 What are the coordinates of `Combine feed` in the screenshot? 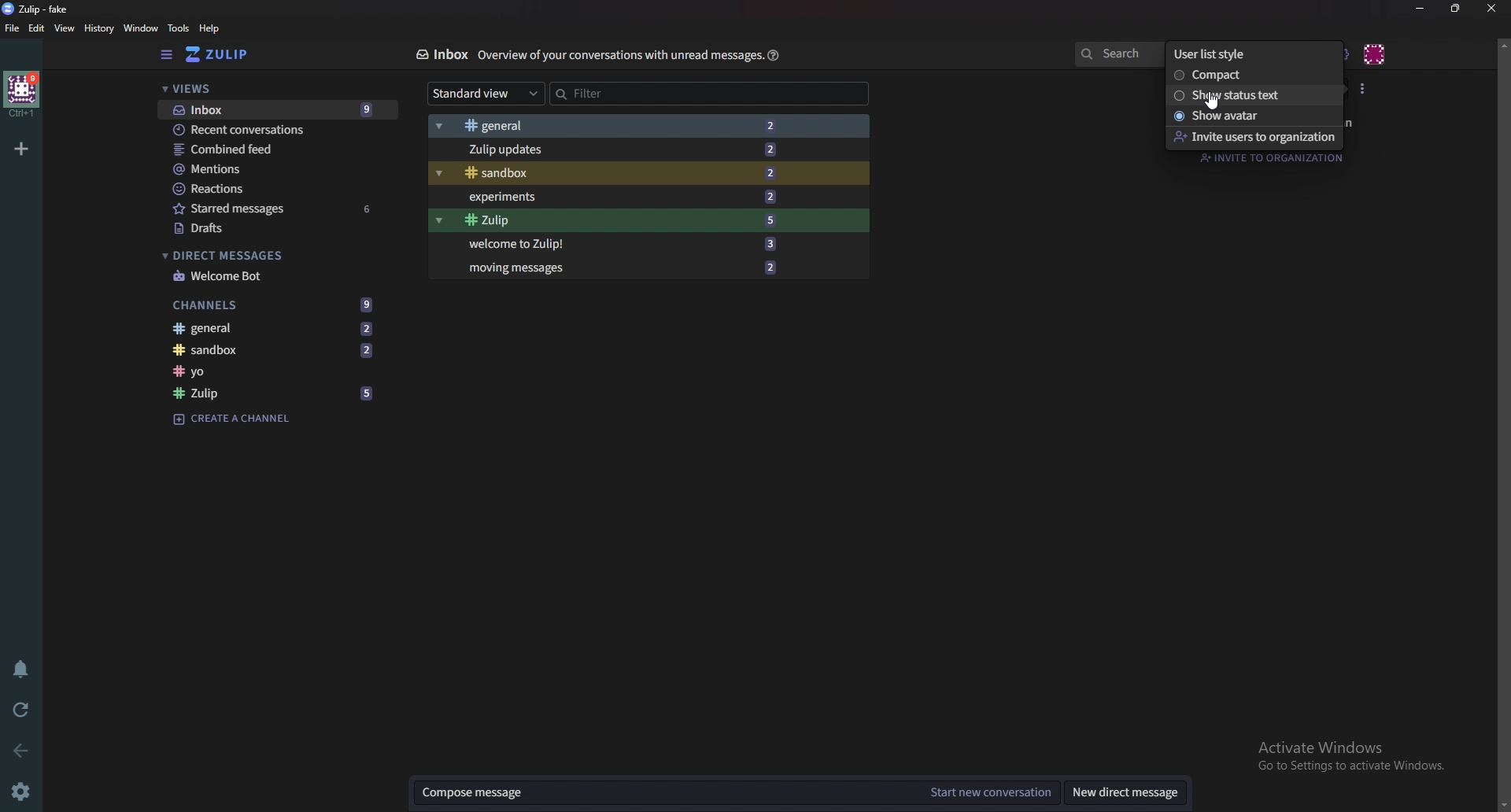 It's located at (269, 148).